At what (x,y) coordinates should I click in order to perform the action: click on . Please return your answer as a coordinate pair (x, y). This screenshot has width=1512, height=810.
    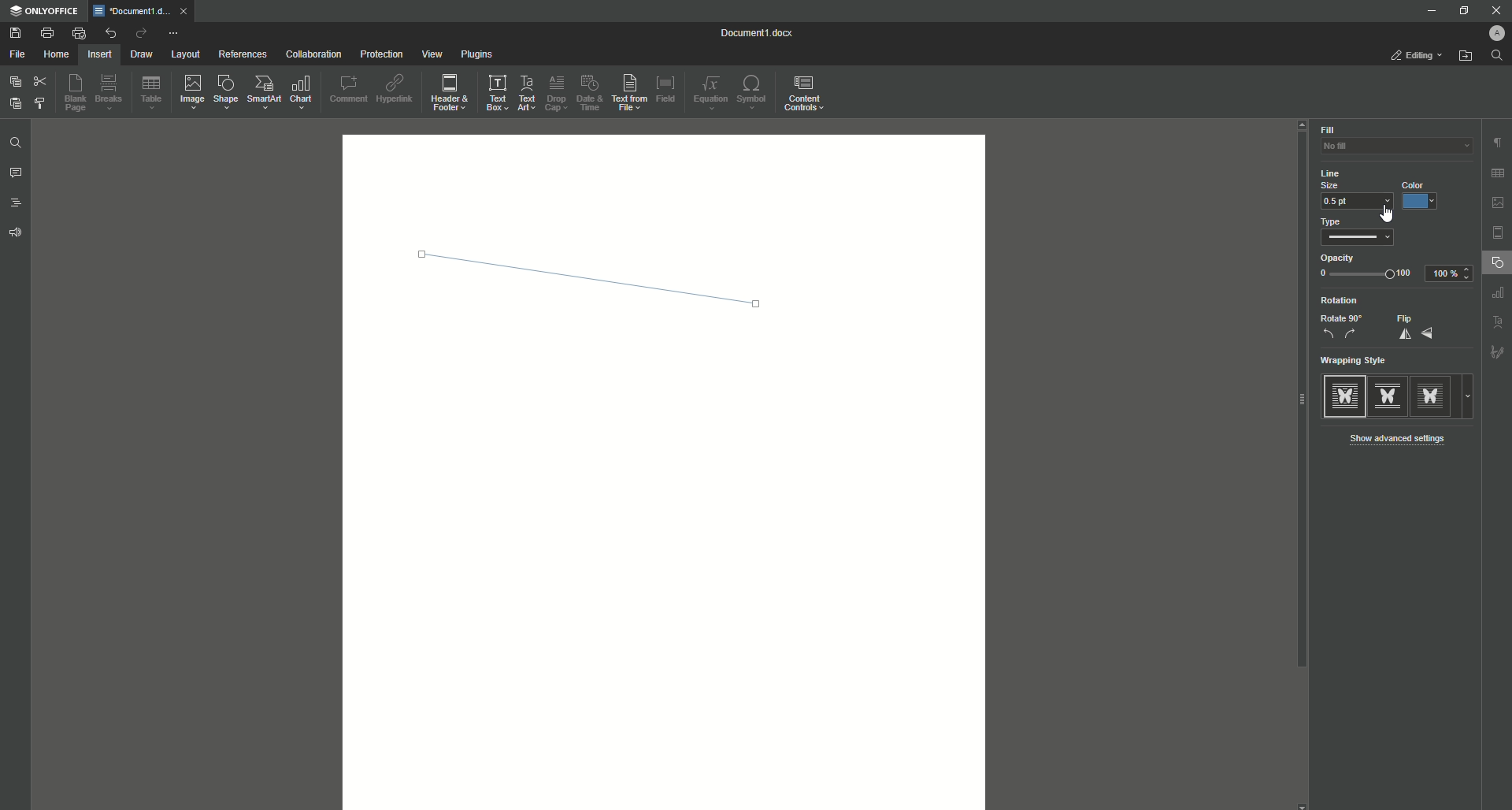
    Looking at the image, I should click on (1497, 354).